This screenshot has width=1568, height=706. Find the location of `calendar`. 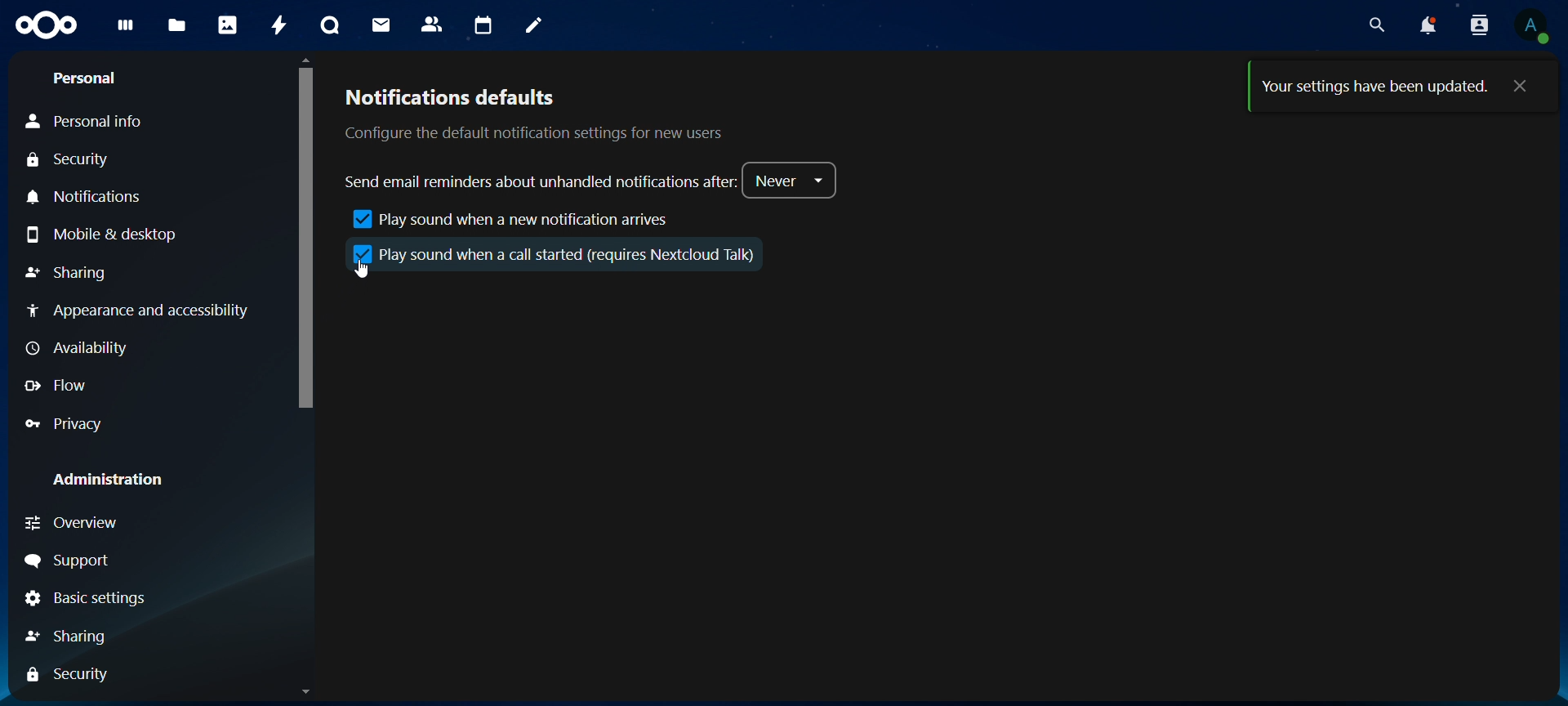

calendar is located at coordinates (483, 26).